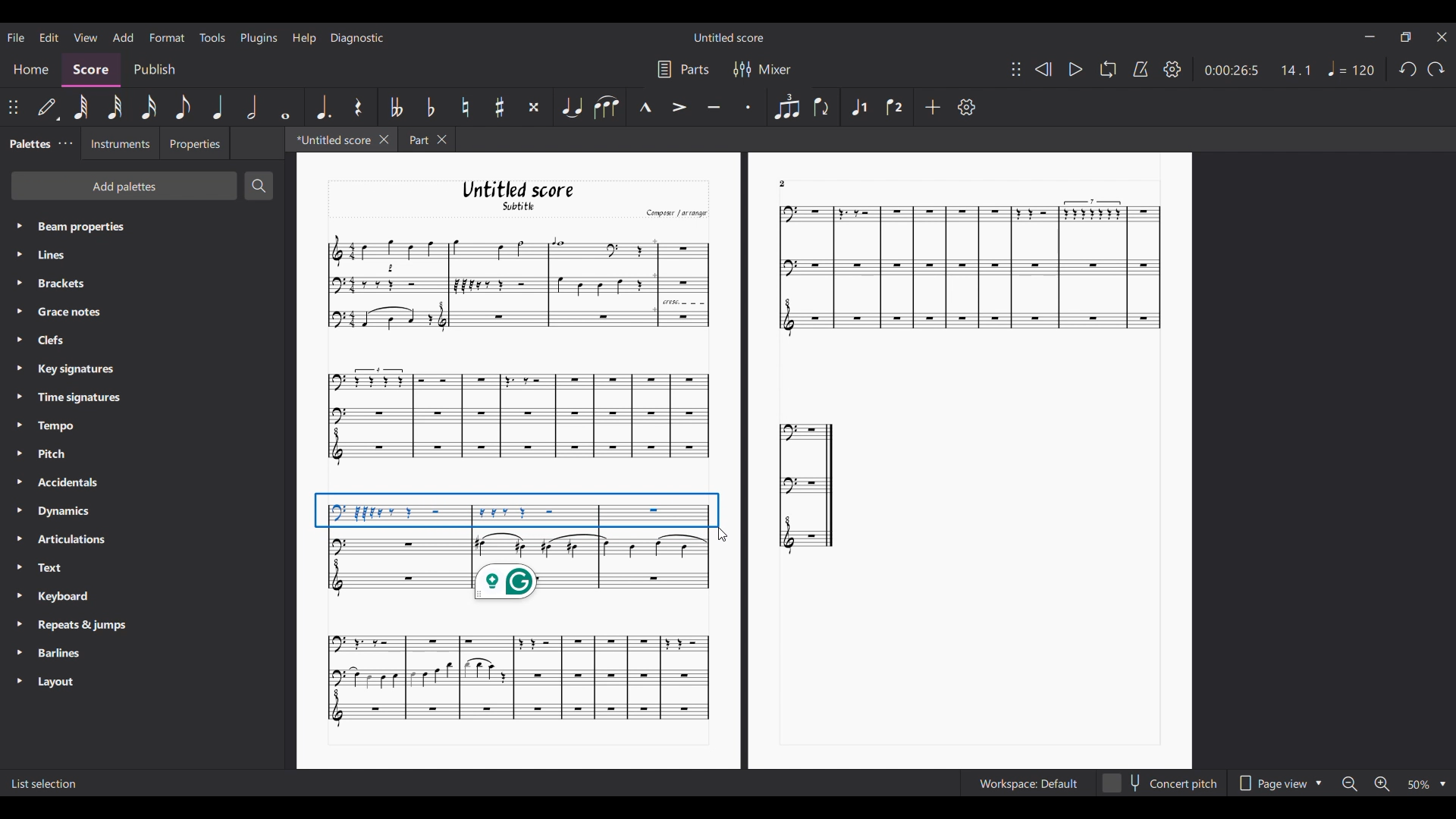 The height and width of the screenshot is (819, 1456). I want to click on > Pitch, so click(52, 457).